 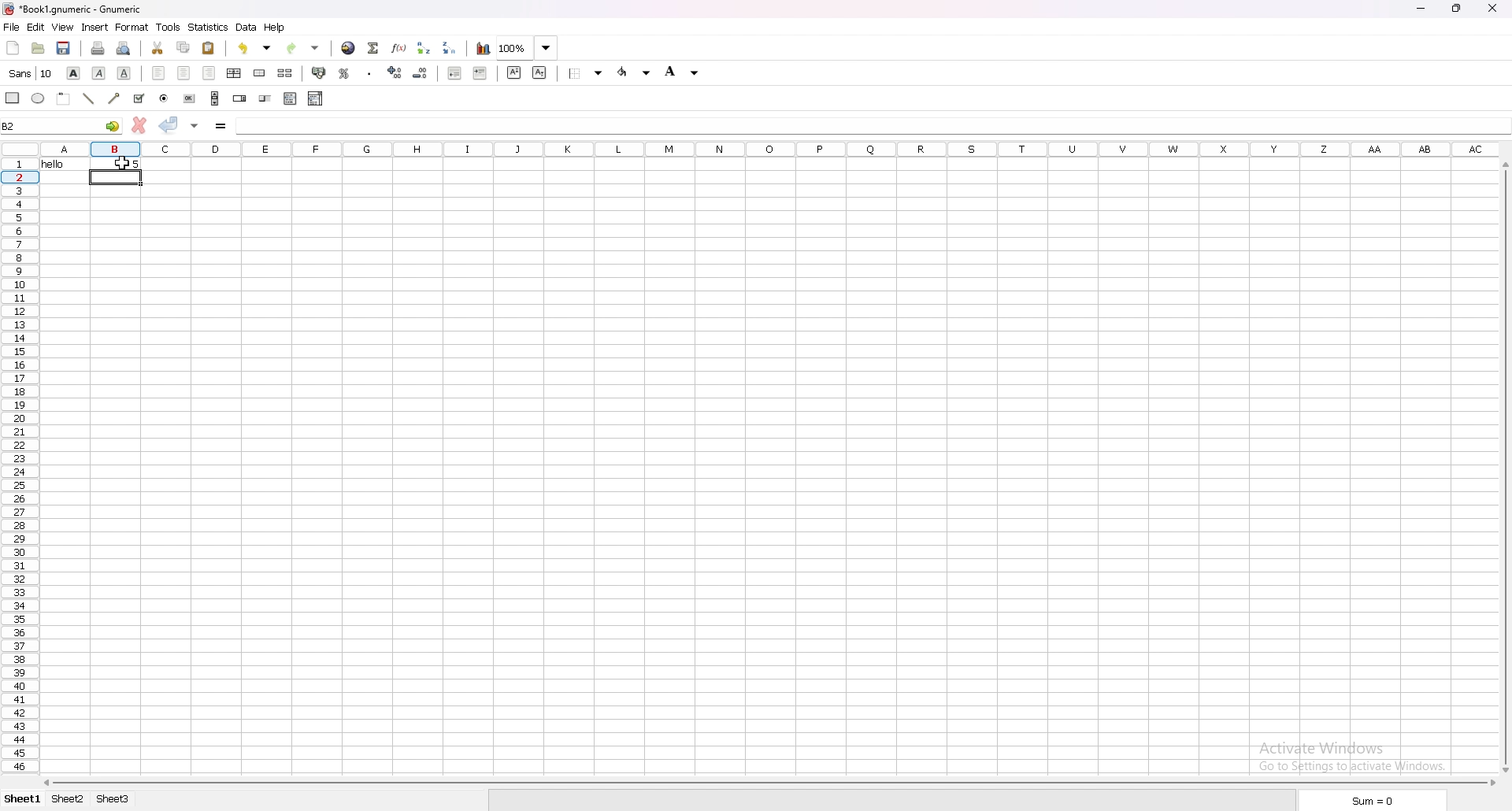 I want to click on create rectangle, so click(x=13, y=98).